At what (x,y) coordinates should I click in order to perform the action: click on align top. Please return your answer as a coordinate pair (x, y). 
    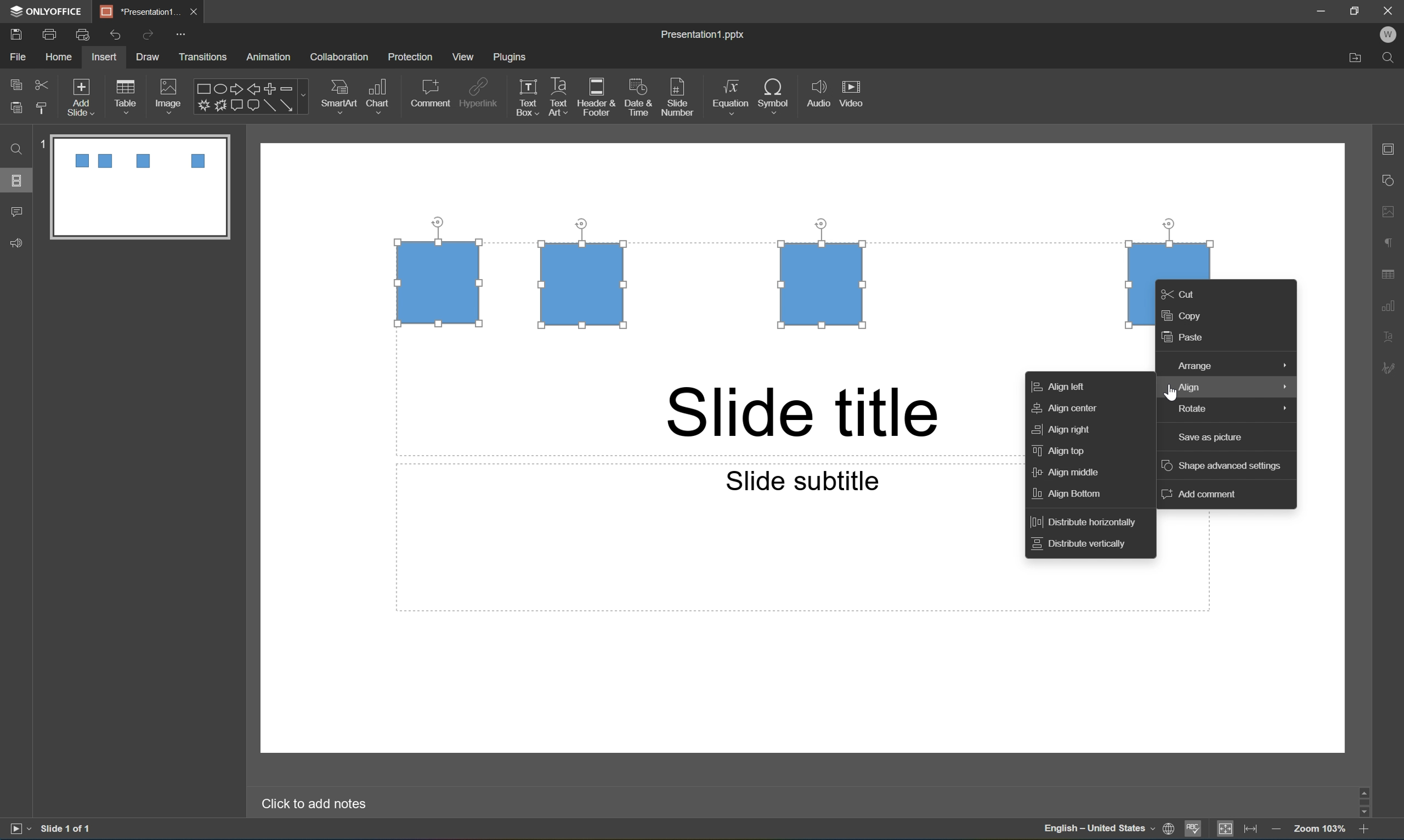
    Looking at the image, I should click on (1059, 451).